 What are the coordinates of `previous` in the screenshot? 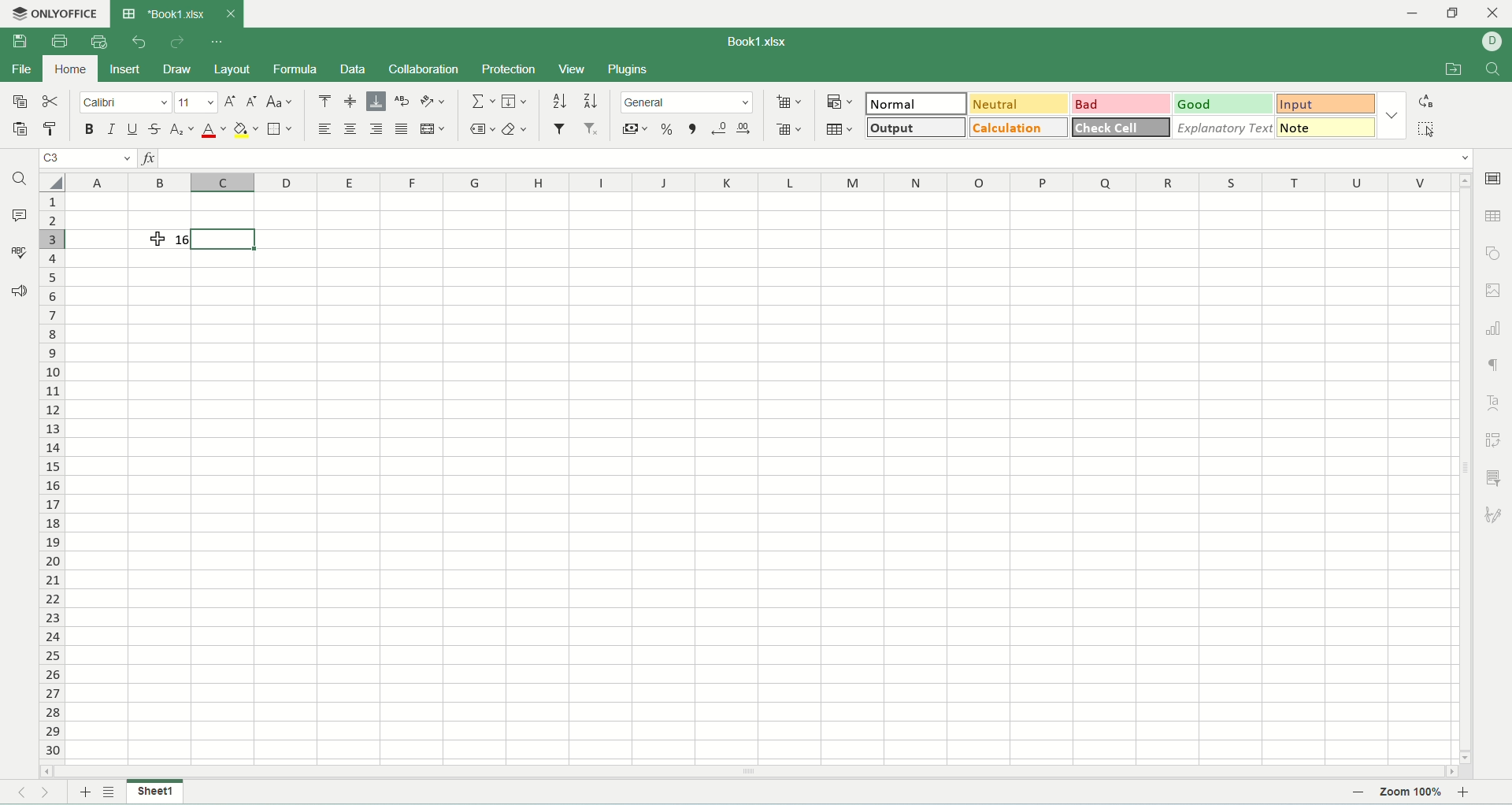 It's located at (20, 793).